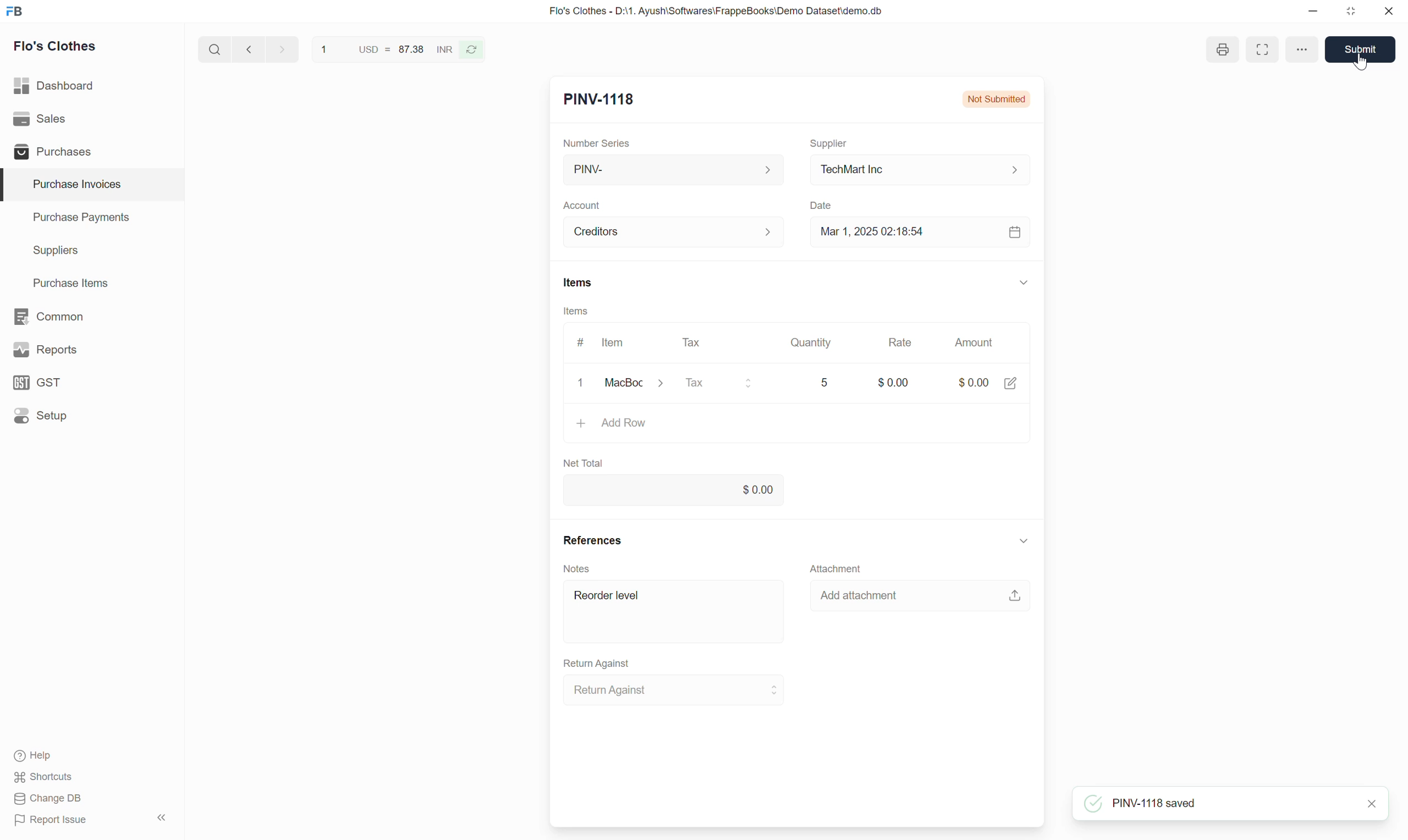 Image resolution: width=1408 pixels, height=840 pixels. Describe the element at coordinates (920, 594) in the screenshot. I see `Add attachment` at that location.